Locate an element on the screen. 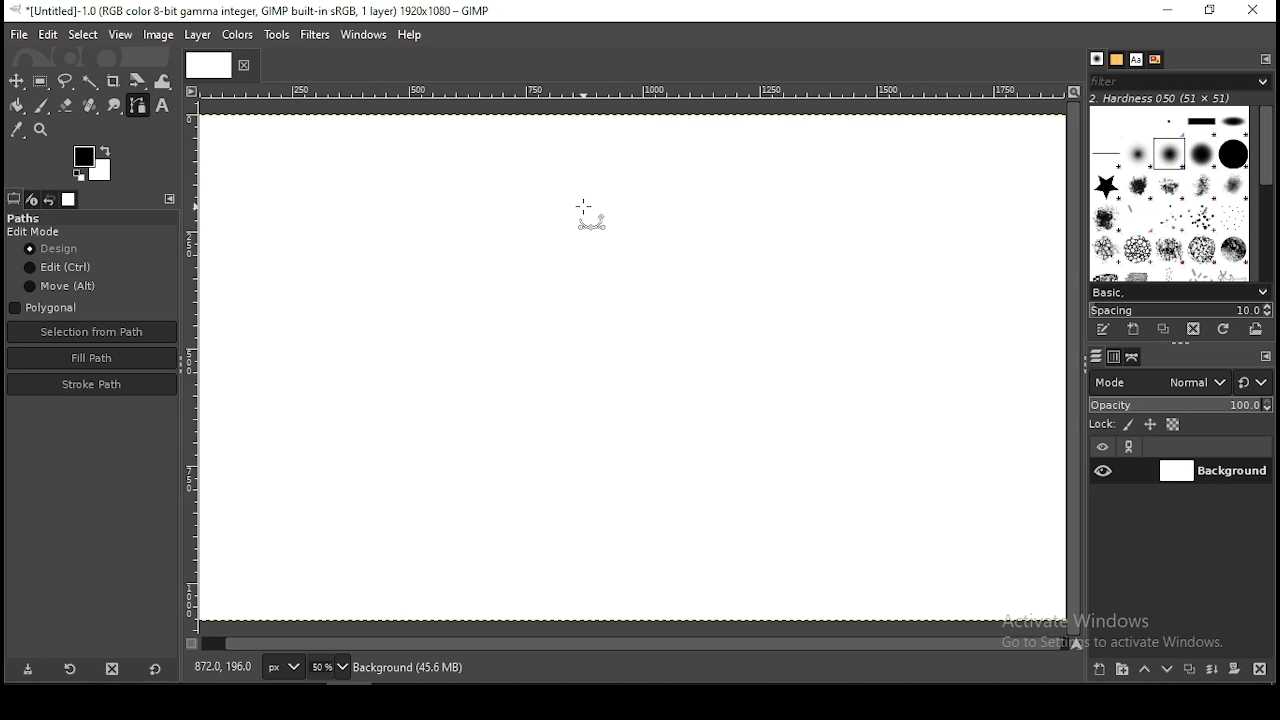 This screenshot has height=720, width=1280.  text tool is located at coordinates (165, 108).